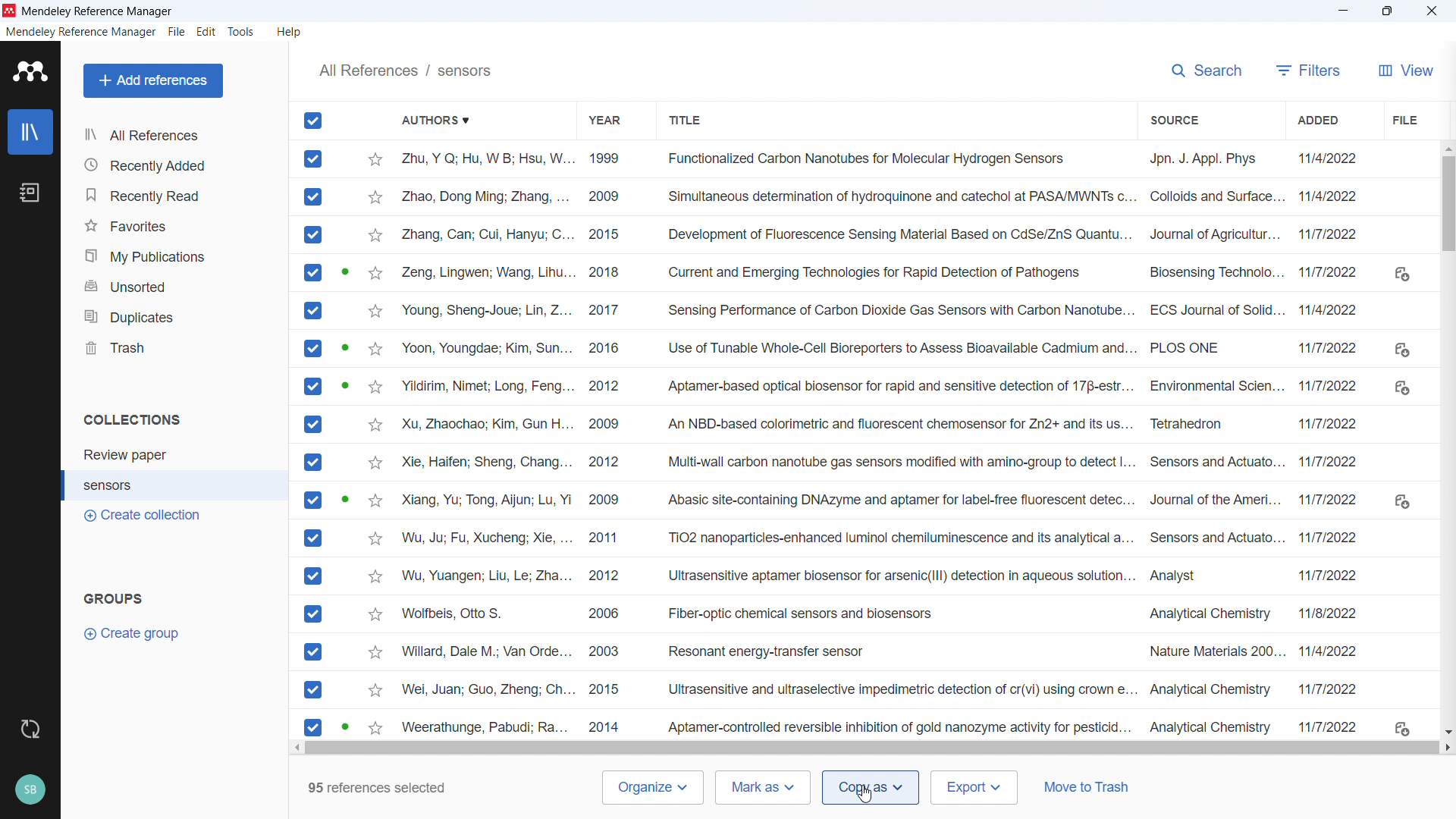 Image resolution: width=1456 pixels, height=819 pixels. Describe the element at coordinates (378, 786) in the screenshot. I see `Number of references selected ` at that location.